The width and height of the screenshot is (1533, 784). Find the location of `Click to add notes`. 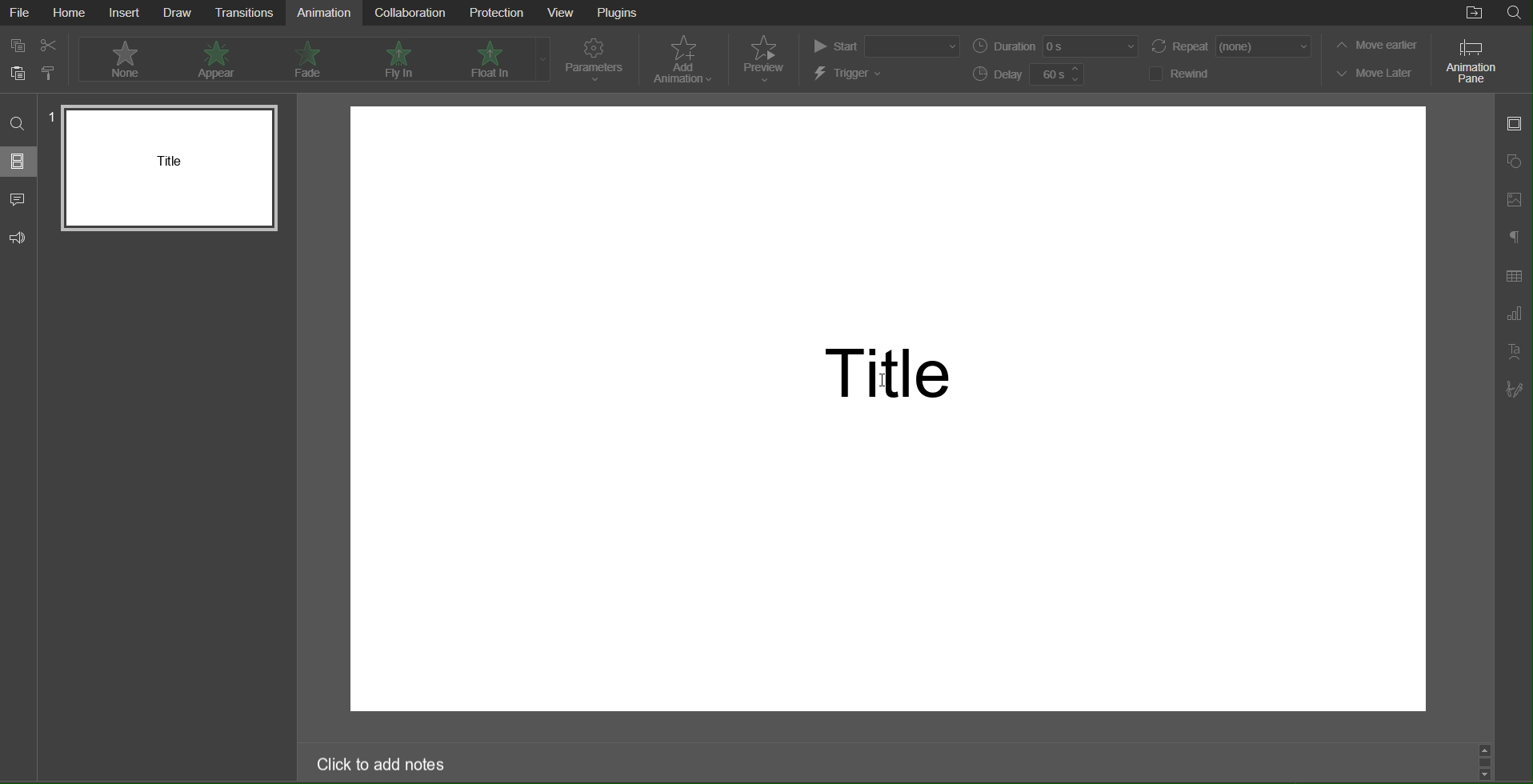

Click to add notes is located at coordinates (384, 765).